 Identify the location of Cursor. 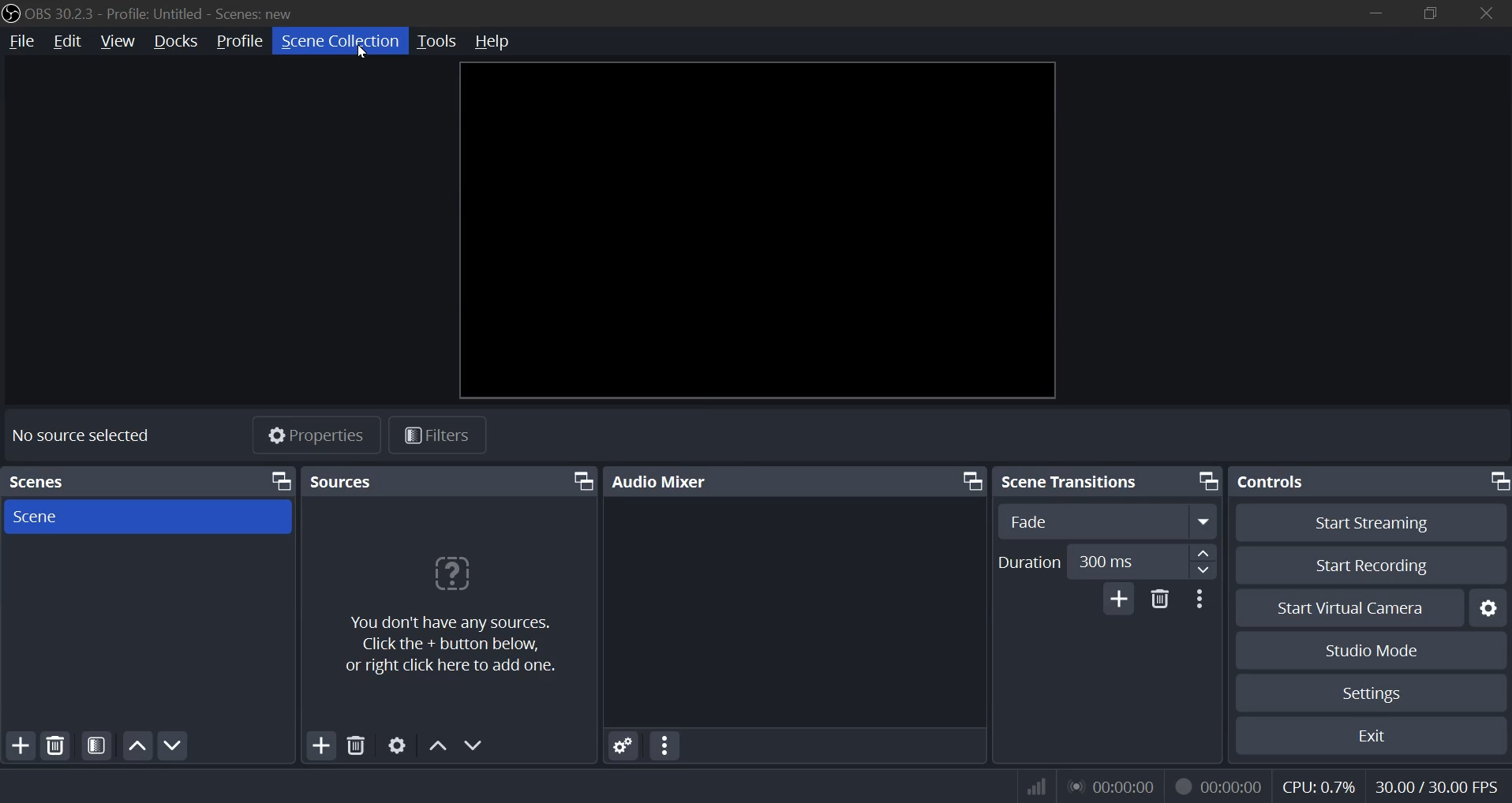
(361, 51).